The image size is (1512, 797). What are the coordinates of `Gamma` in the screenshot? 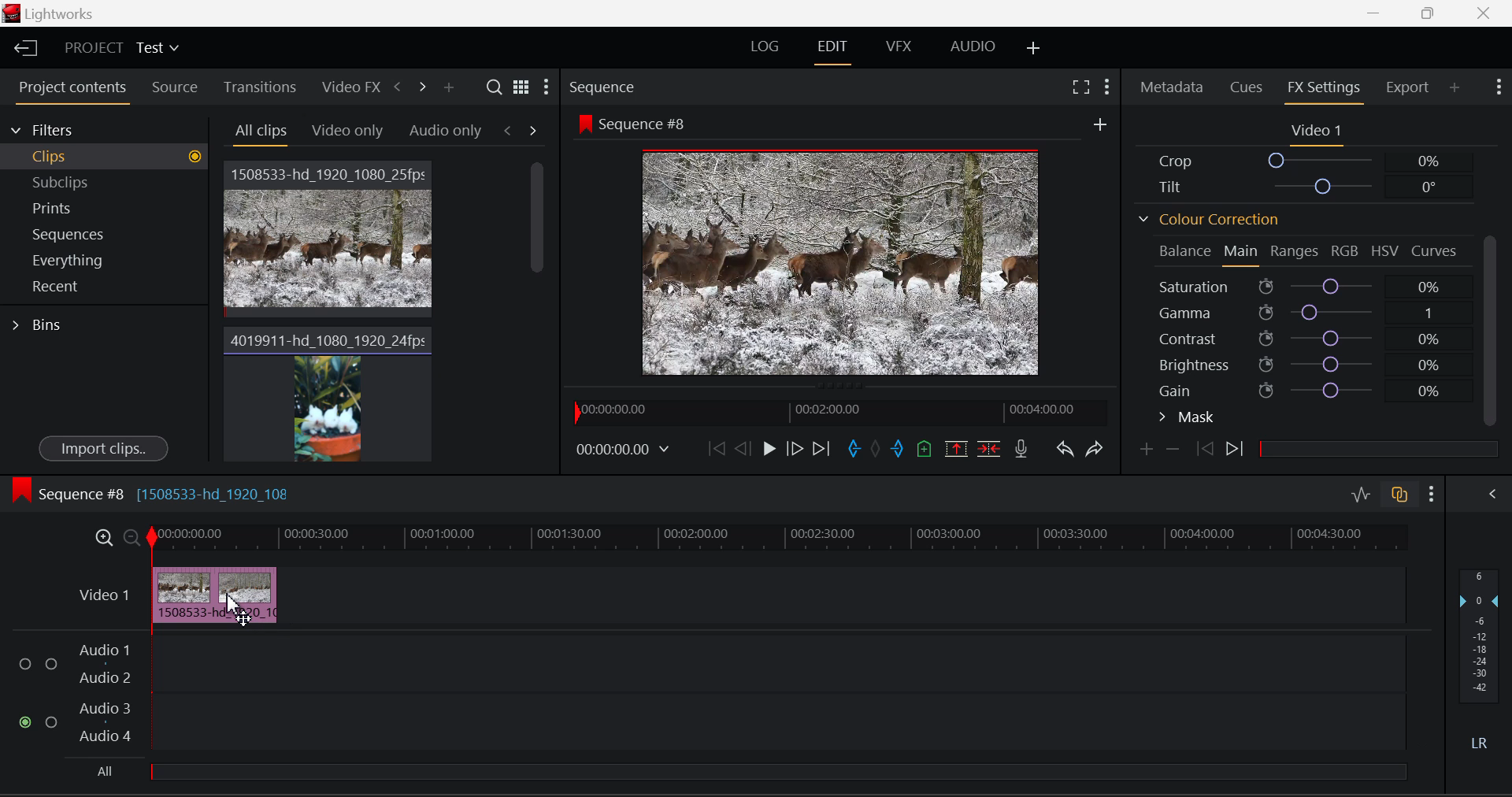 It's located at (1303, 313).